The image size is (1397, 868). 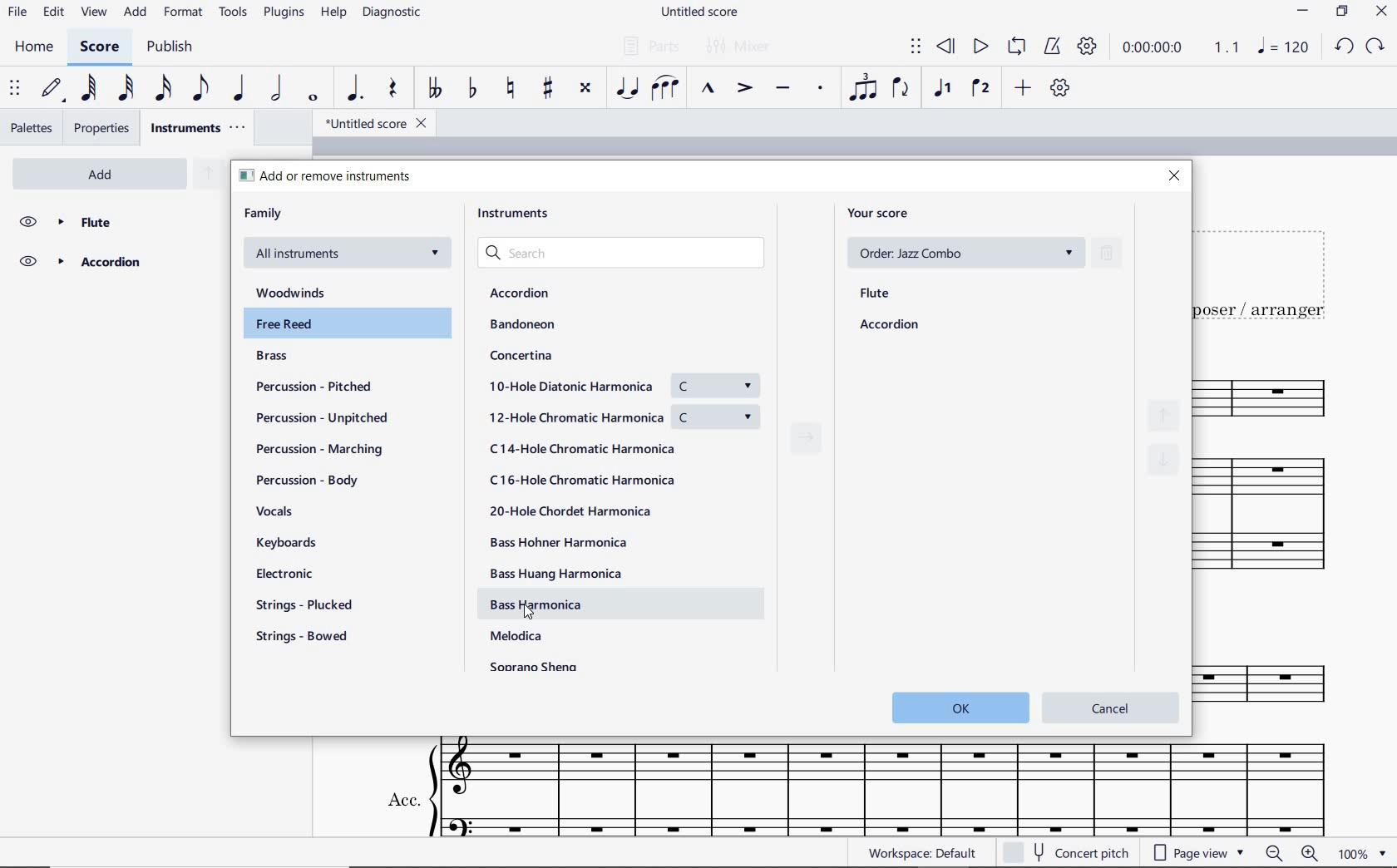 I want to click on toggle double-flat, so click(x=433, y=89).